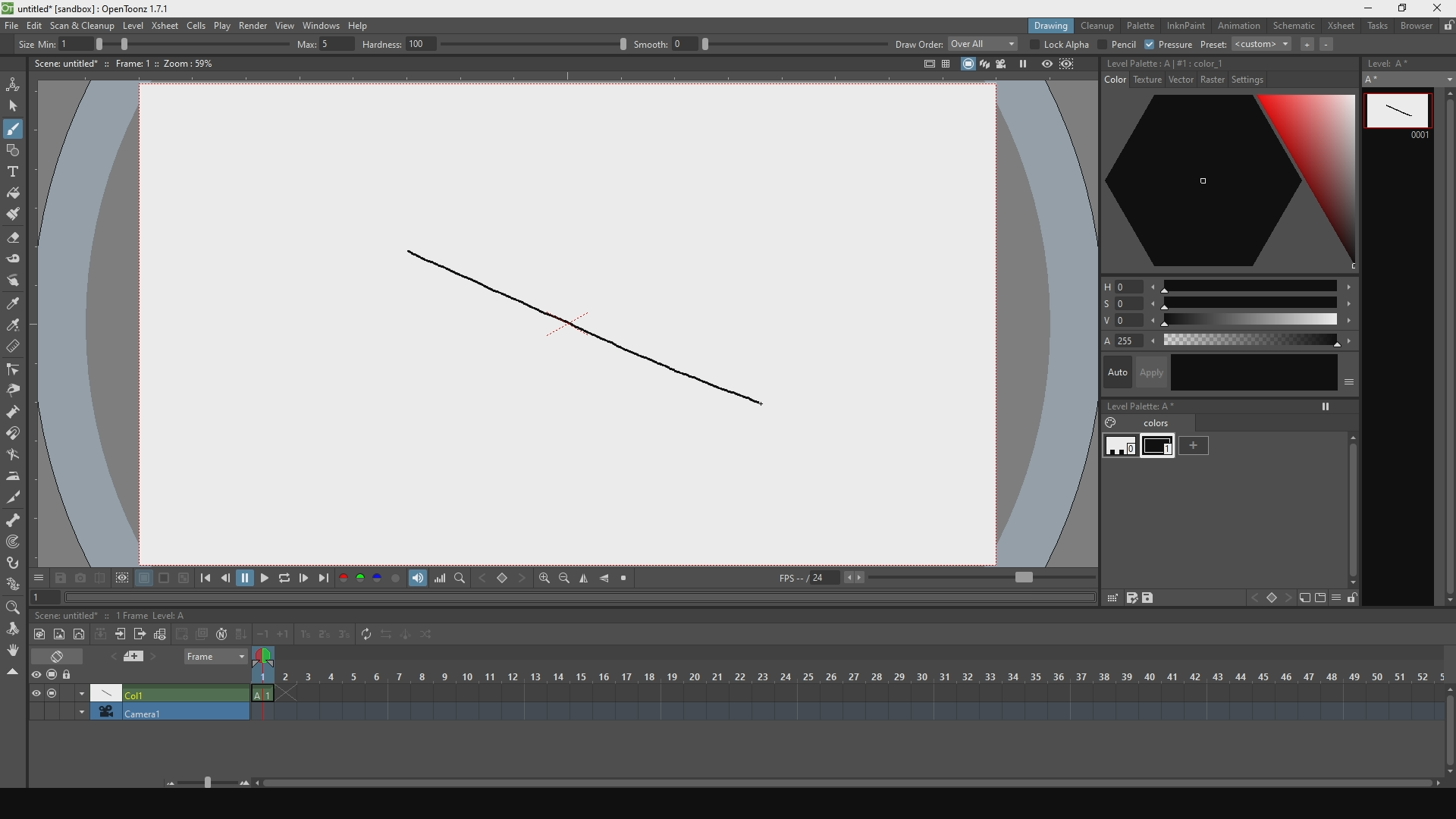 This screenshot has width=1456, height=819. What do you see at coordinates (306, 579) in the screenshot?
I see `go forwards` at bounding box center [306, 579].